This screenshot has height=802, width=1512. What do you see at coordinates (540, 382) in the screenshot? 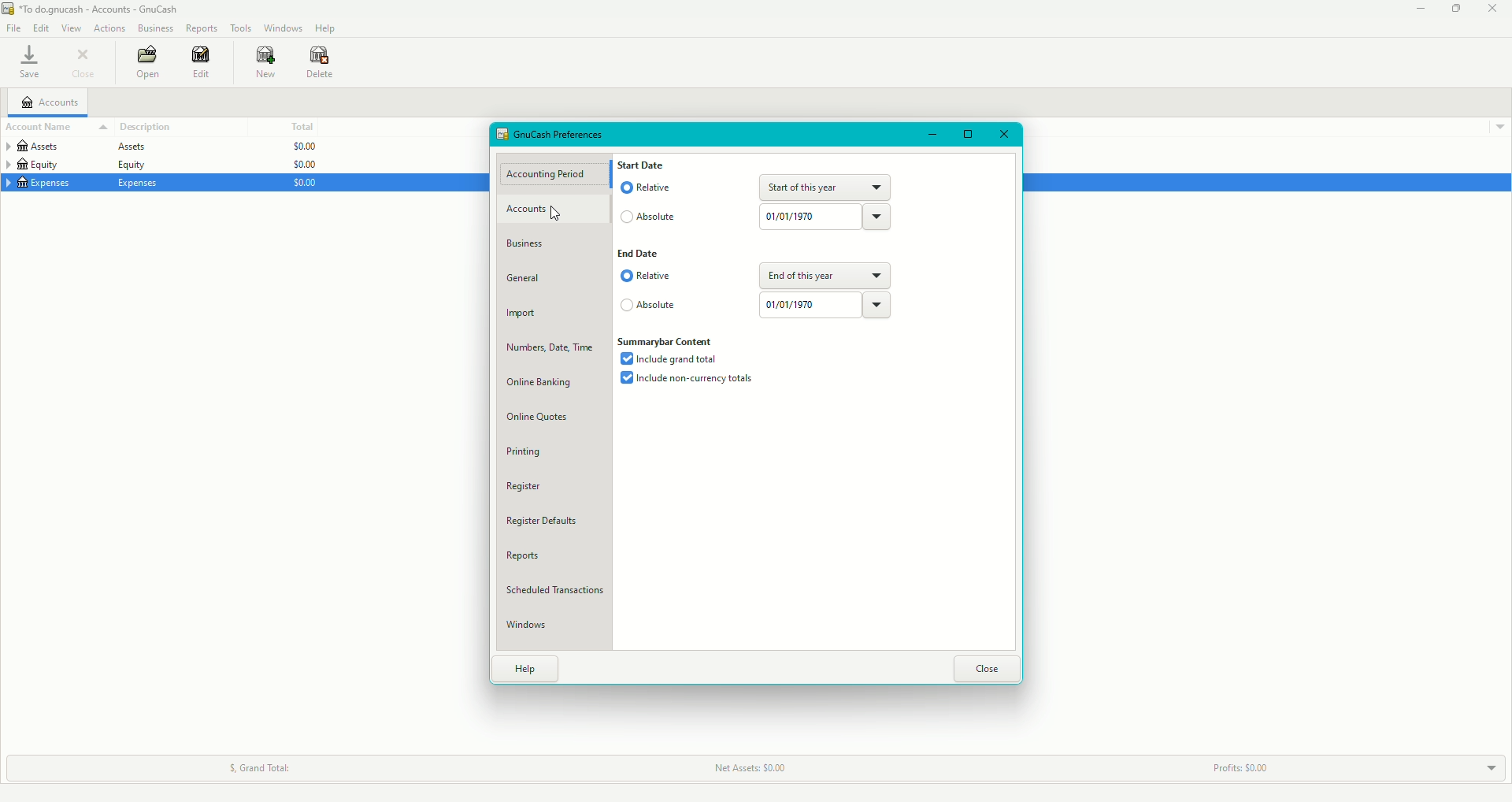
I see `Online banking` at bounding box center [540, 382].